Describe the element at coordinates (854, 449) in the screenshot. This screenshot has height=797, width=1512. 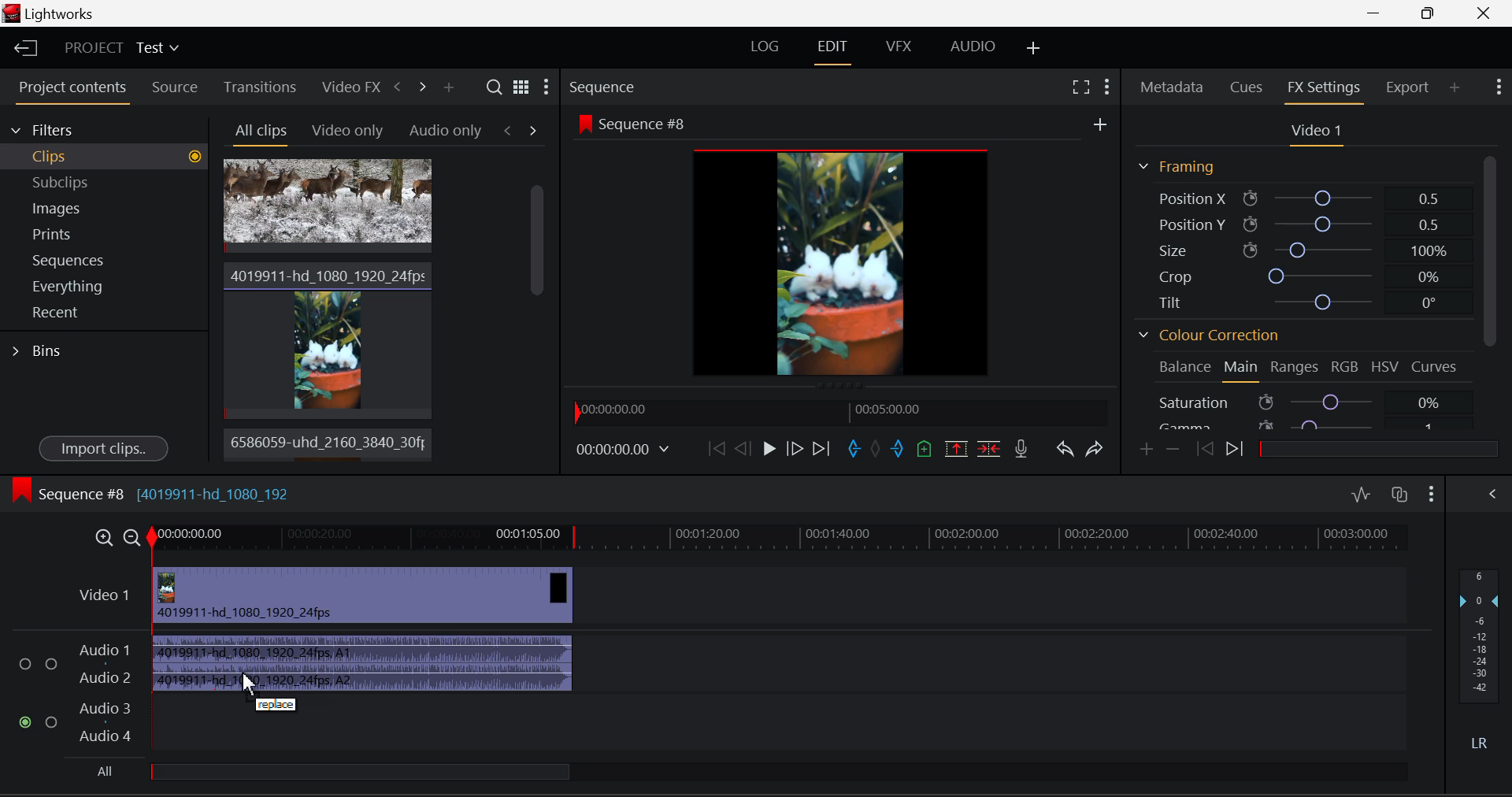
I see `Mark In` at that location.